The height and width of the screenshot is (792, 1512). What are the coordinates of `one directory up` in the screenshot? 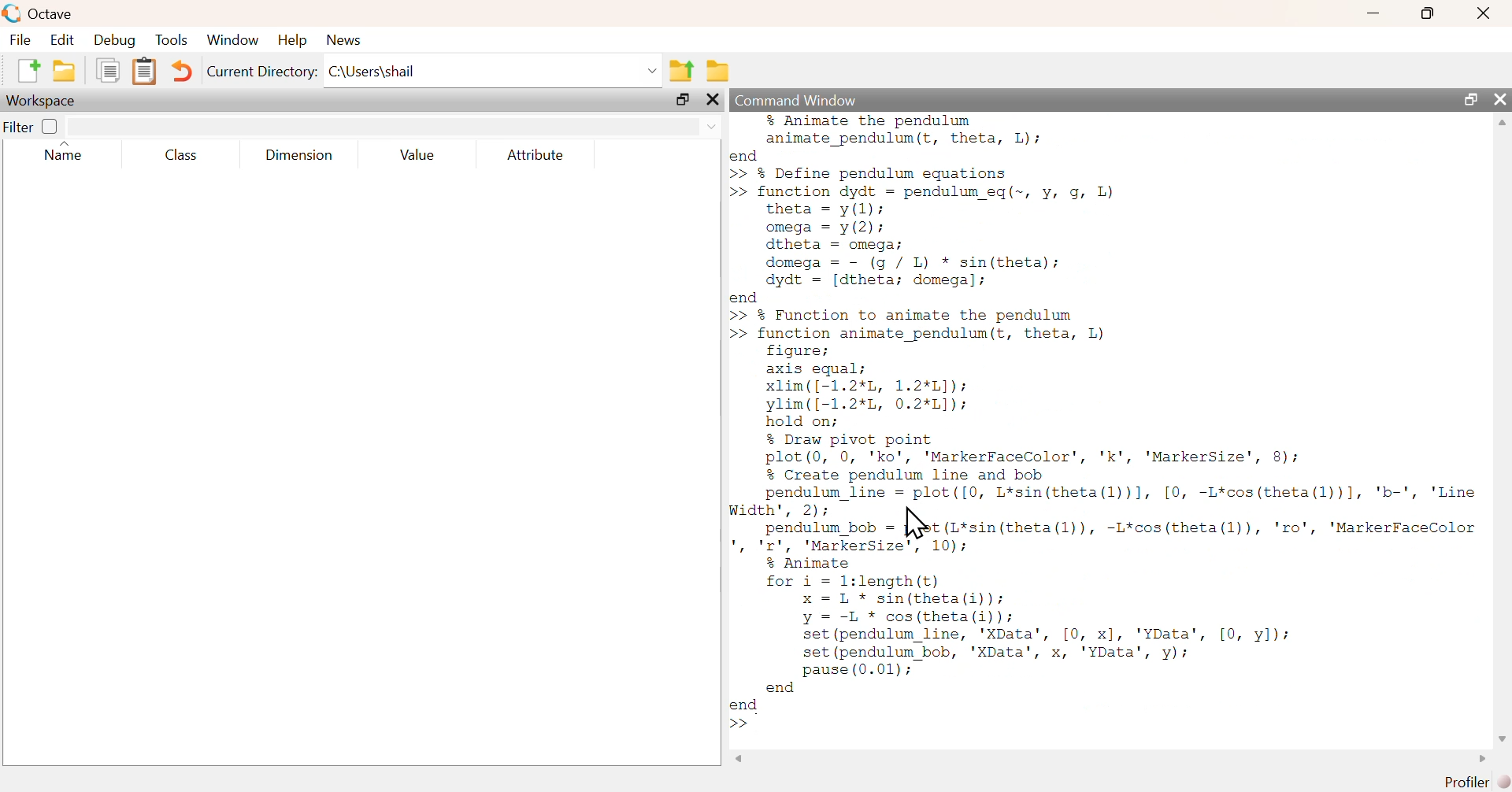 It's located at (683, 69).